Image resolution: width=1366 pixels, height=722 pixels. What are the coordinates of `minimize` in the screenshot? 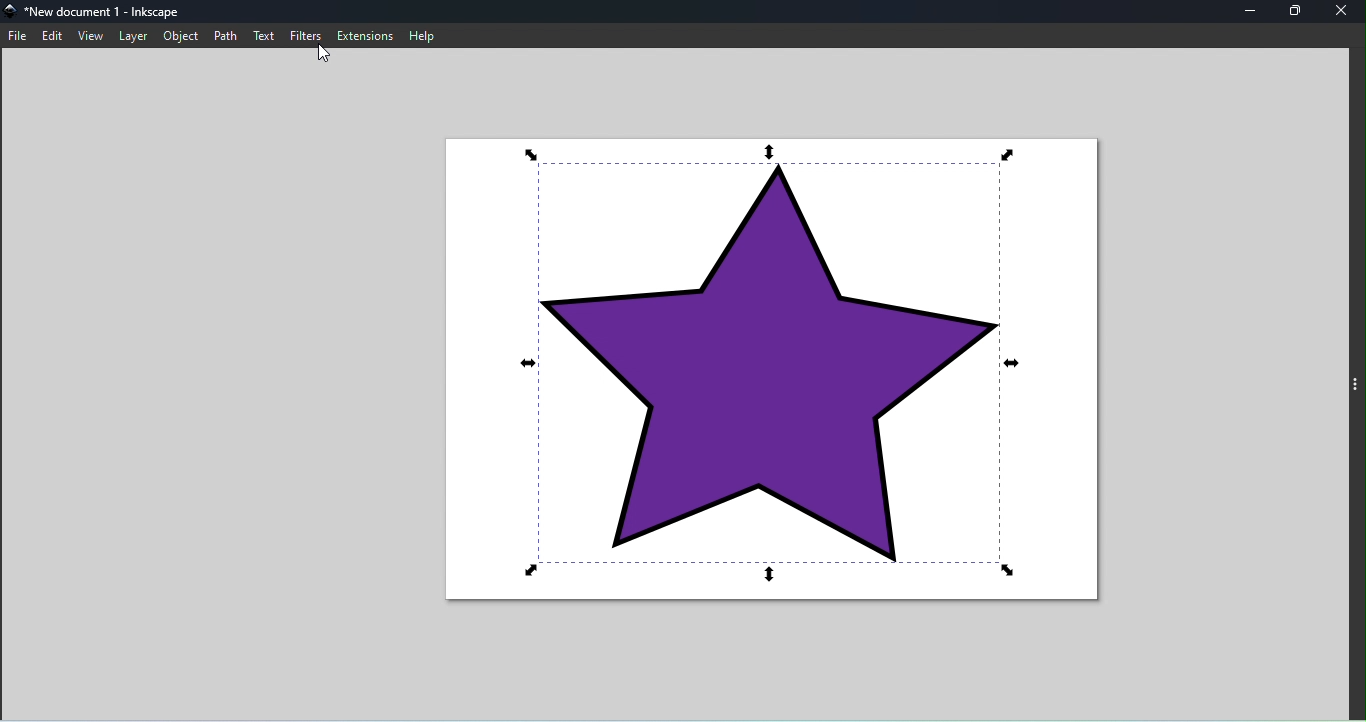 It's located at (1250, 12).